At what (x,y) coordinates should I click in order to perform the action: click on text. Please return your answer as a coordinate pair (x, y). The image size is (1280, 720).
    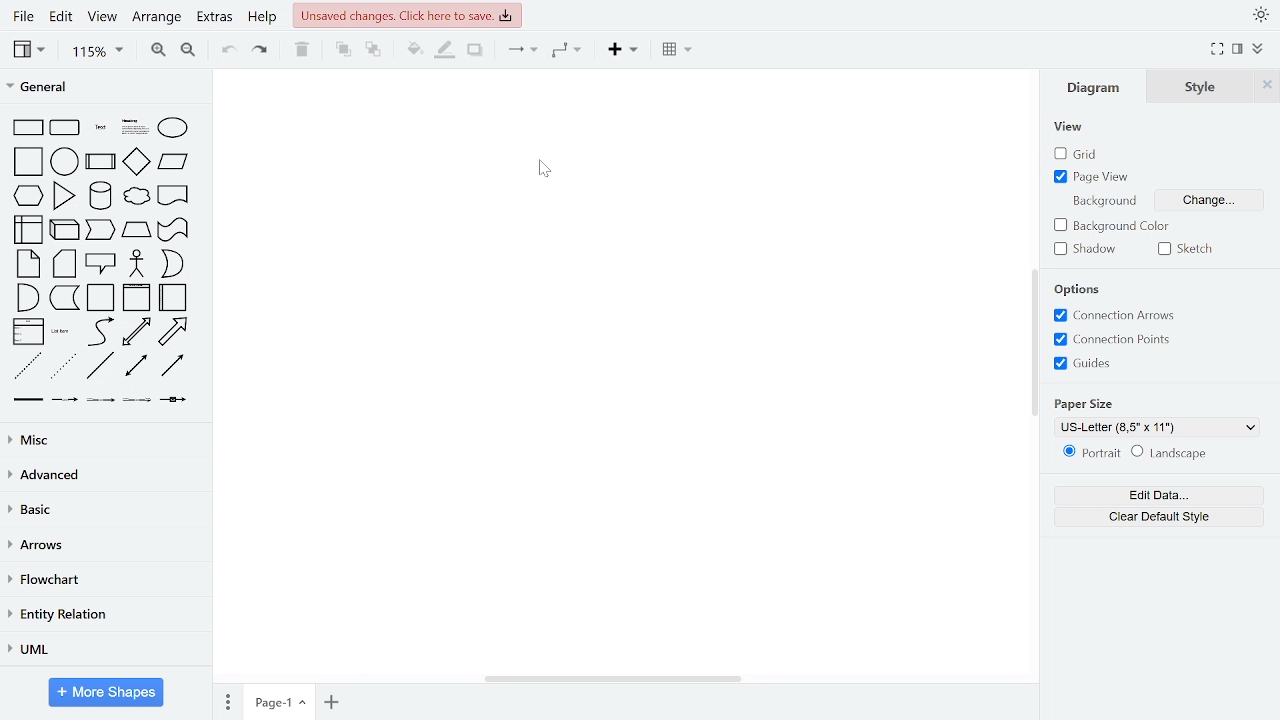
    Looking at the image, I should click on (99, 126).